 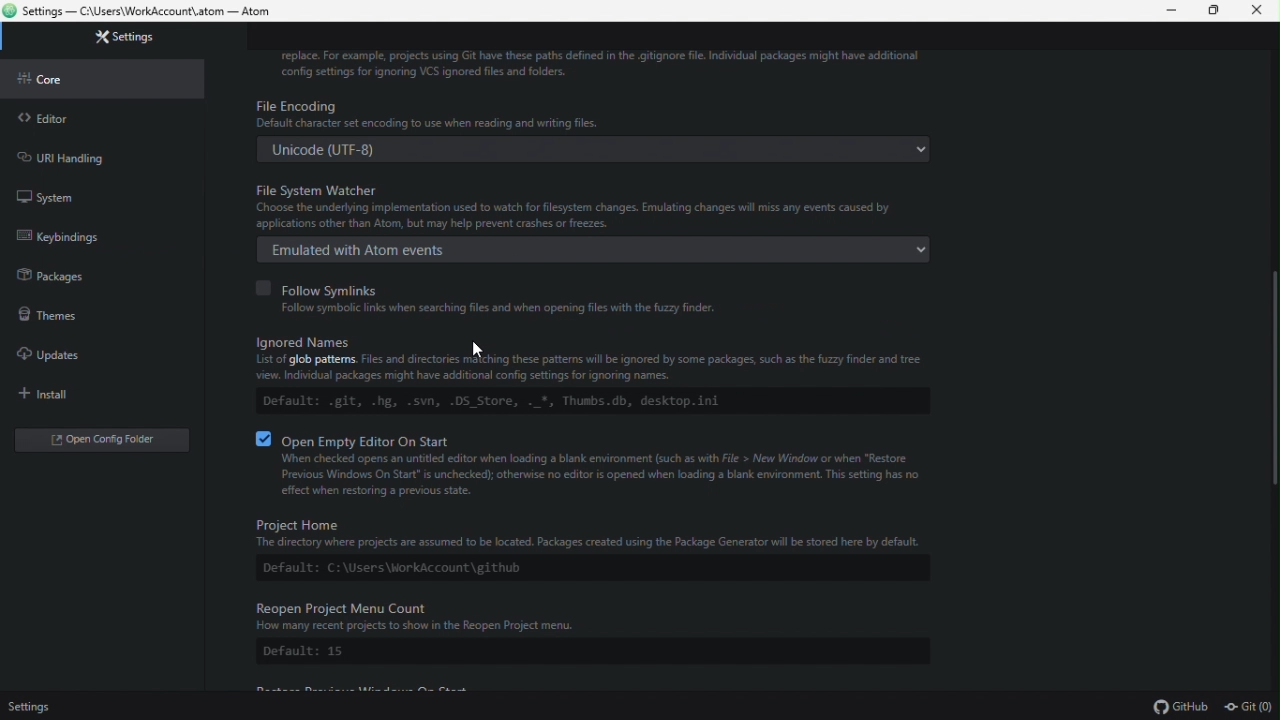 I want to click on editor, so click(x=102, y=115).